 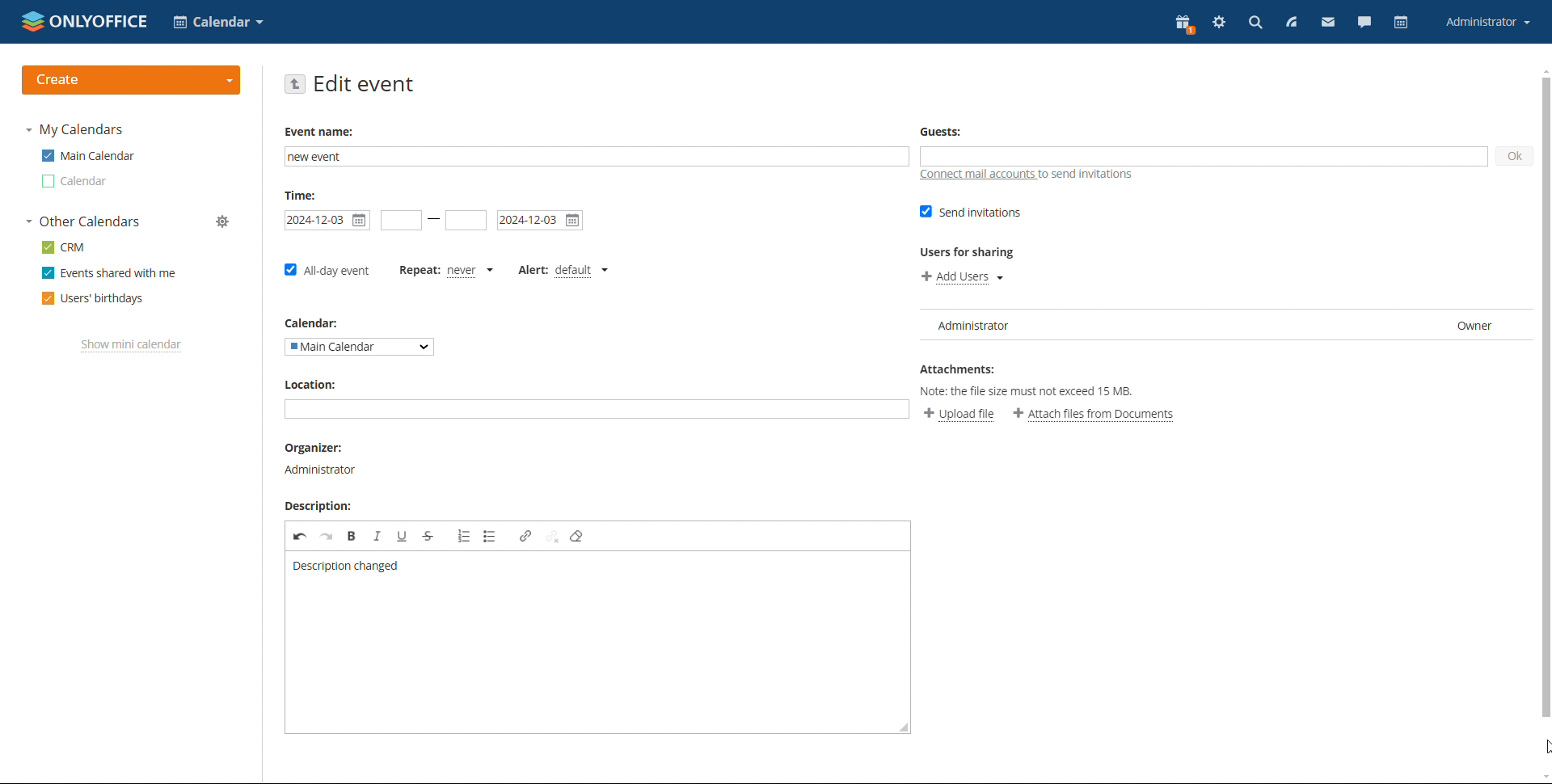 I want to click on Users for sharing, so click(x=972, y=253).